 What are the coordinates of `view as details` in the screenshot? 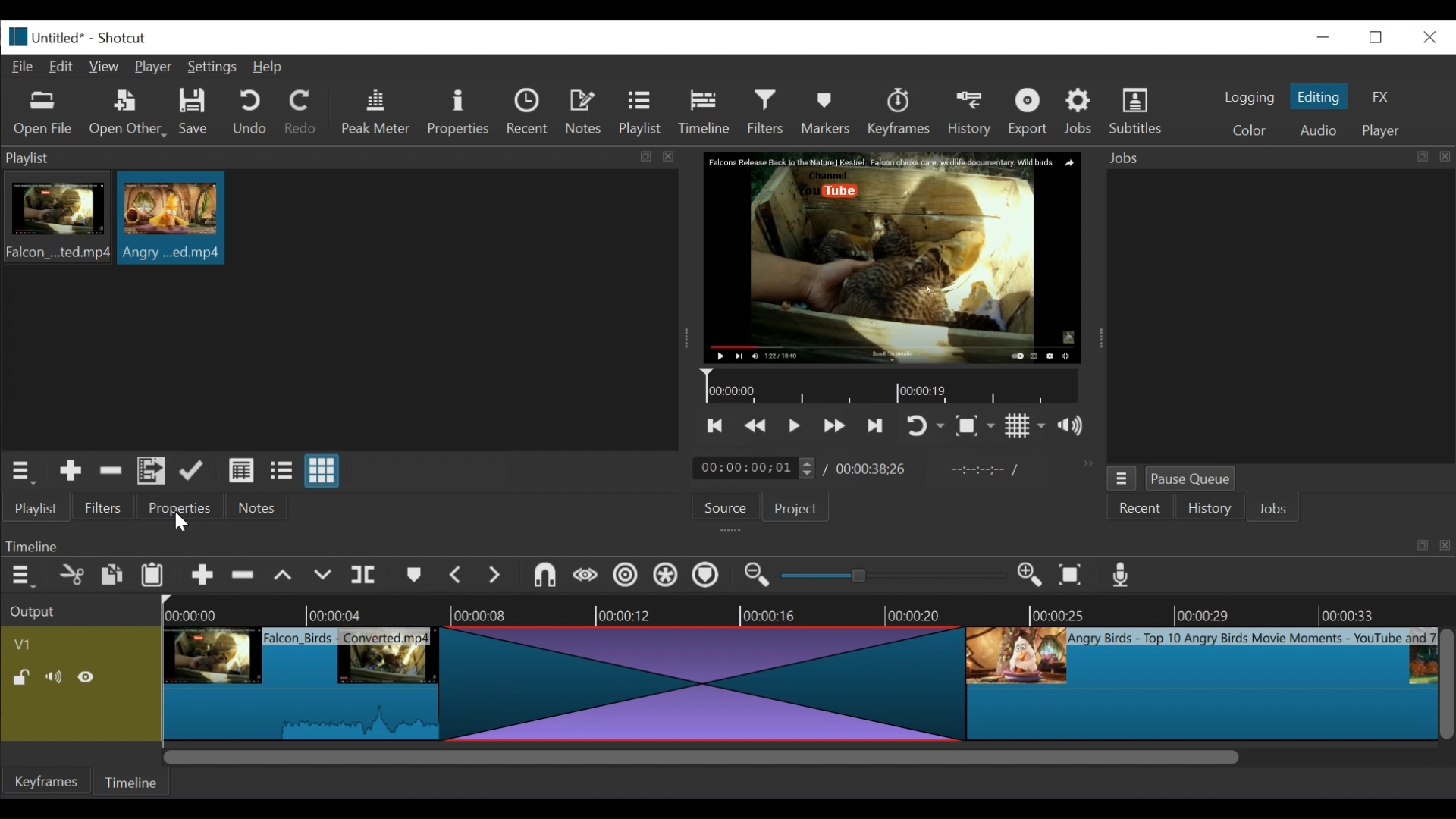 It's located at (242, 470).